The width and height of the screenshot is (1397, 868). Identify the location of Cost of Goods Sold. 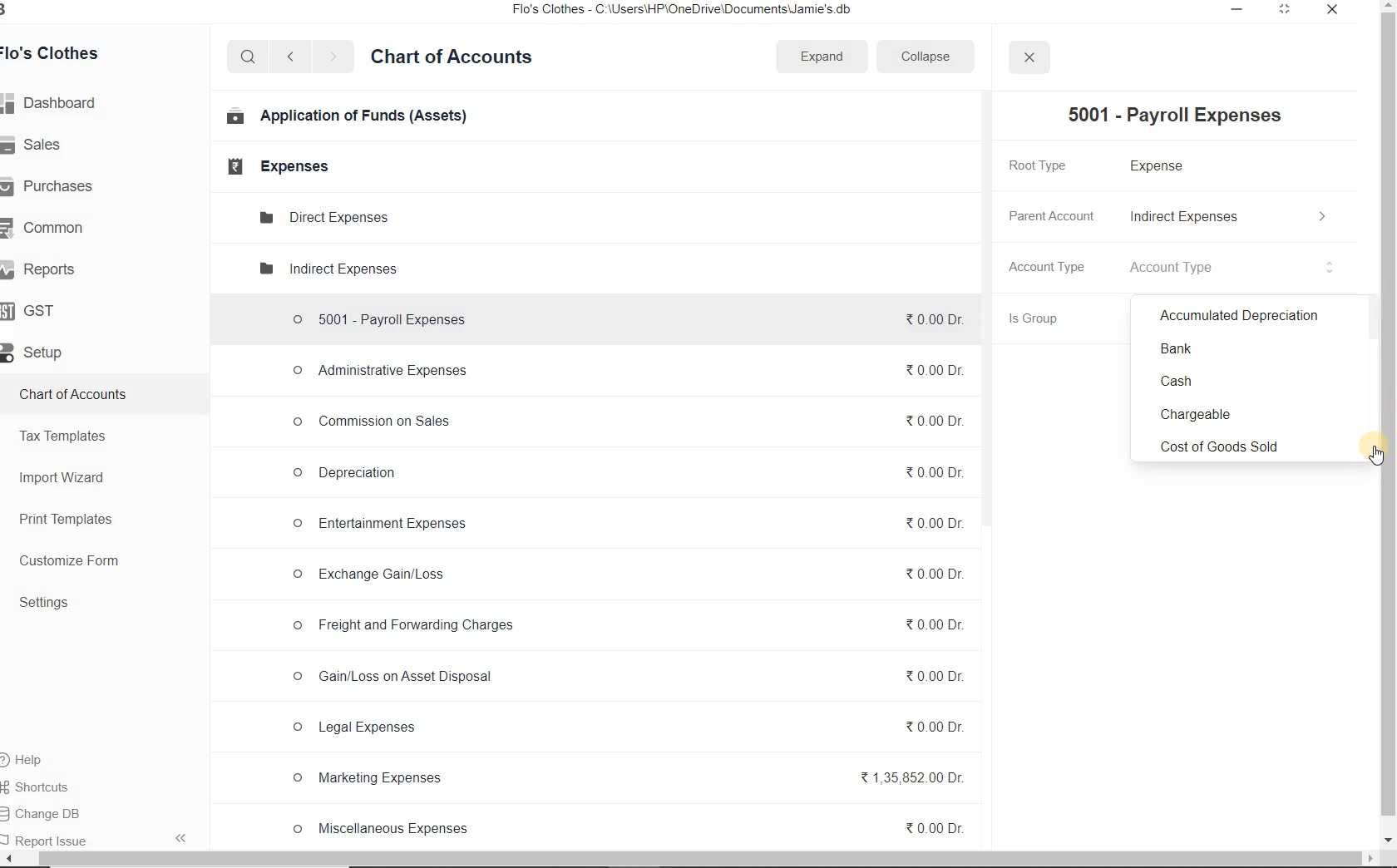
(1238, 443).